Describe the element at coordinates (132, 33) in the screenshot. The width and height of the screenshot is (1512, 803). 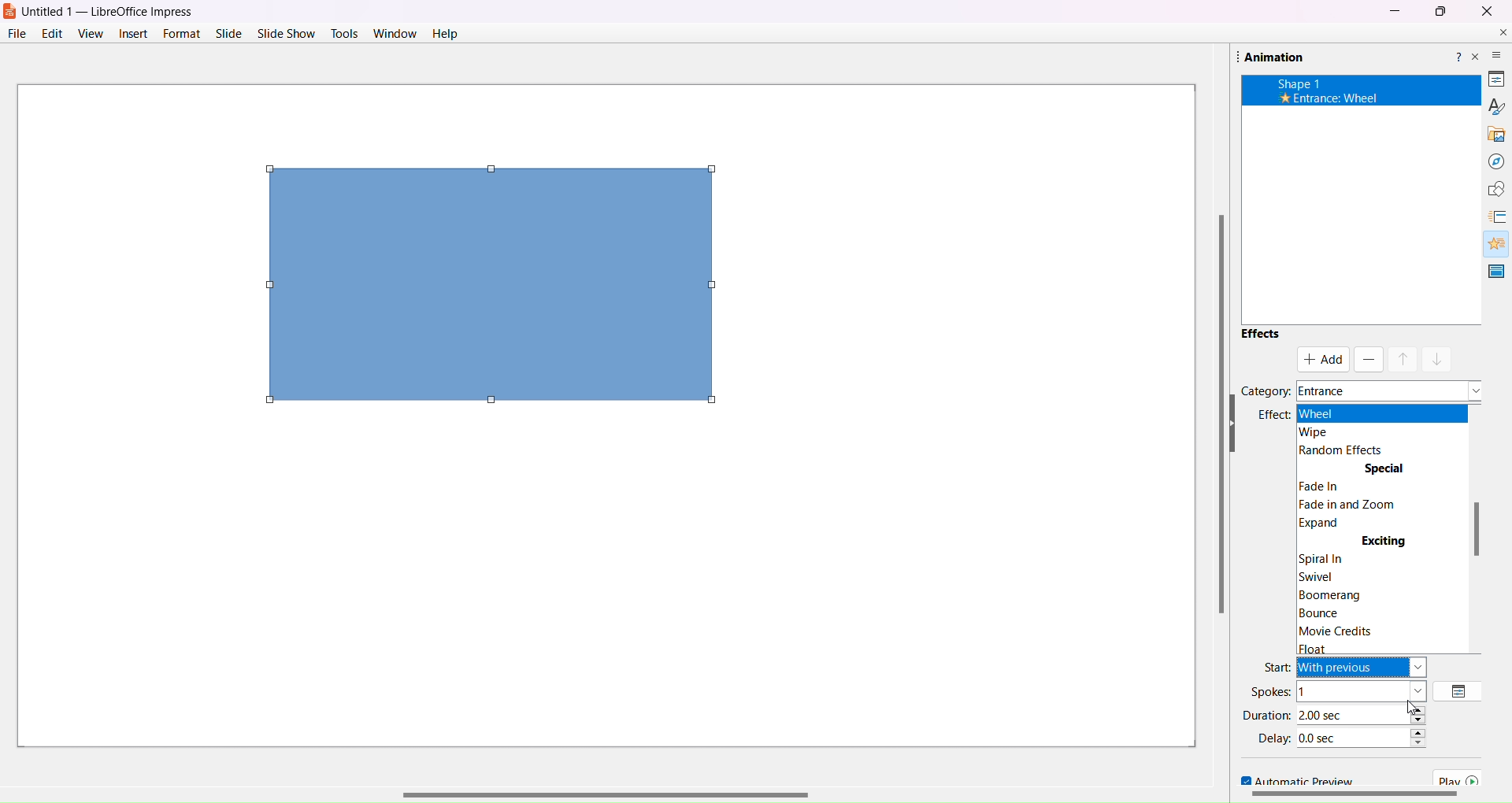
I see `Insert` at that location.